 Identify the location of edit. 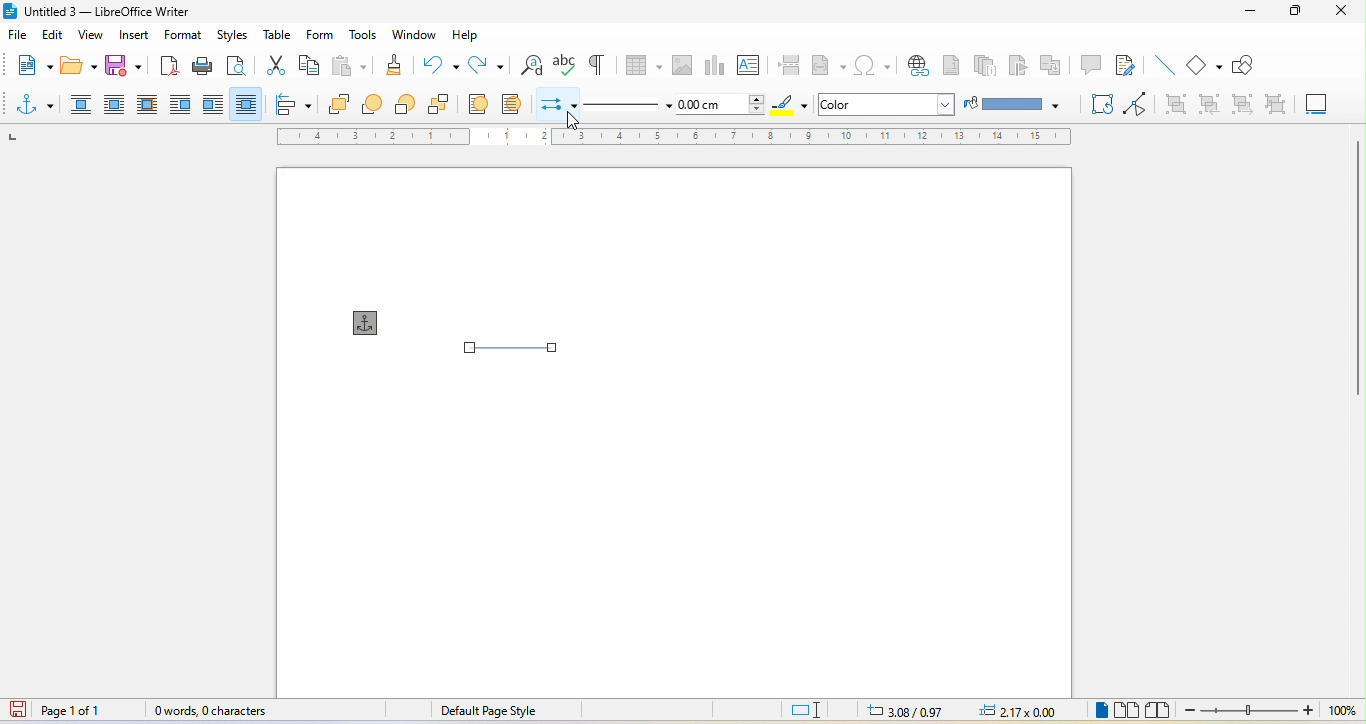
(53, 36).